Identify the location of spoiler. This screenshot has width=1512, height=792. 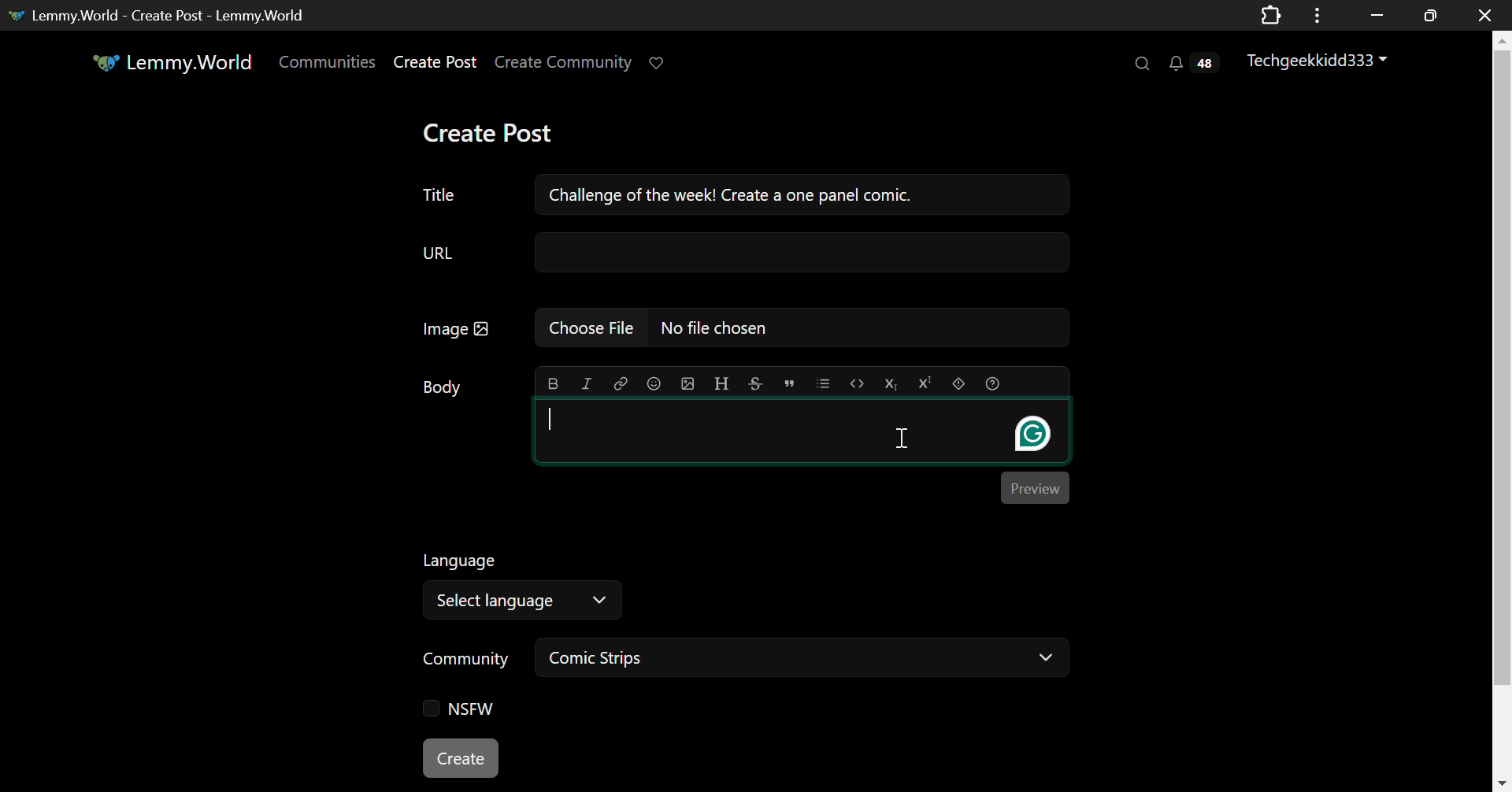
(956, 383).